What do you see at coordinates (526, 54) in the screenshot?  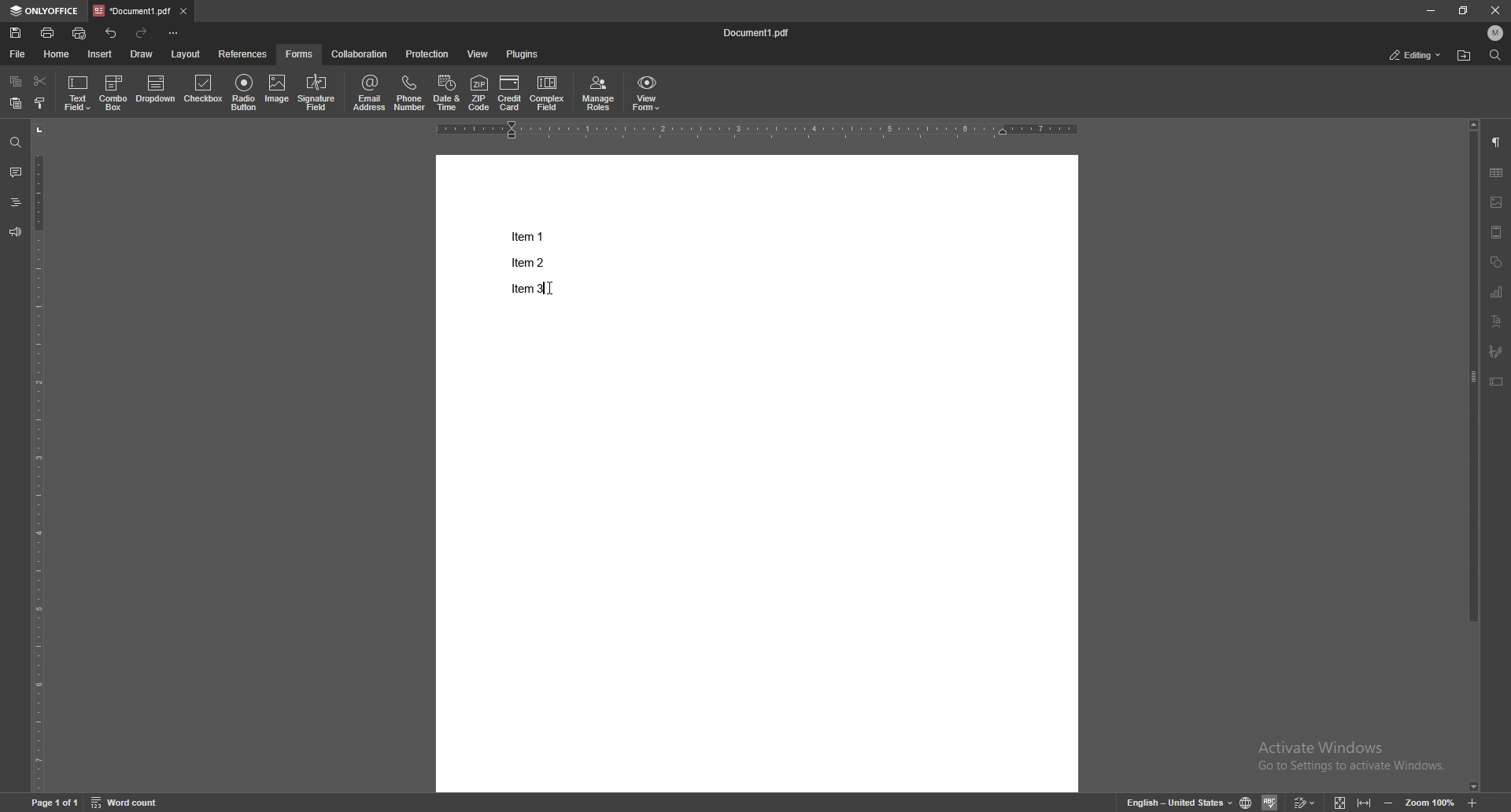 I see `plugins` at bounding box center [526, 54].